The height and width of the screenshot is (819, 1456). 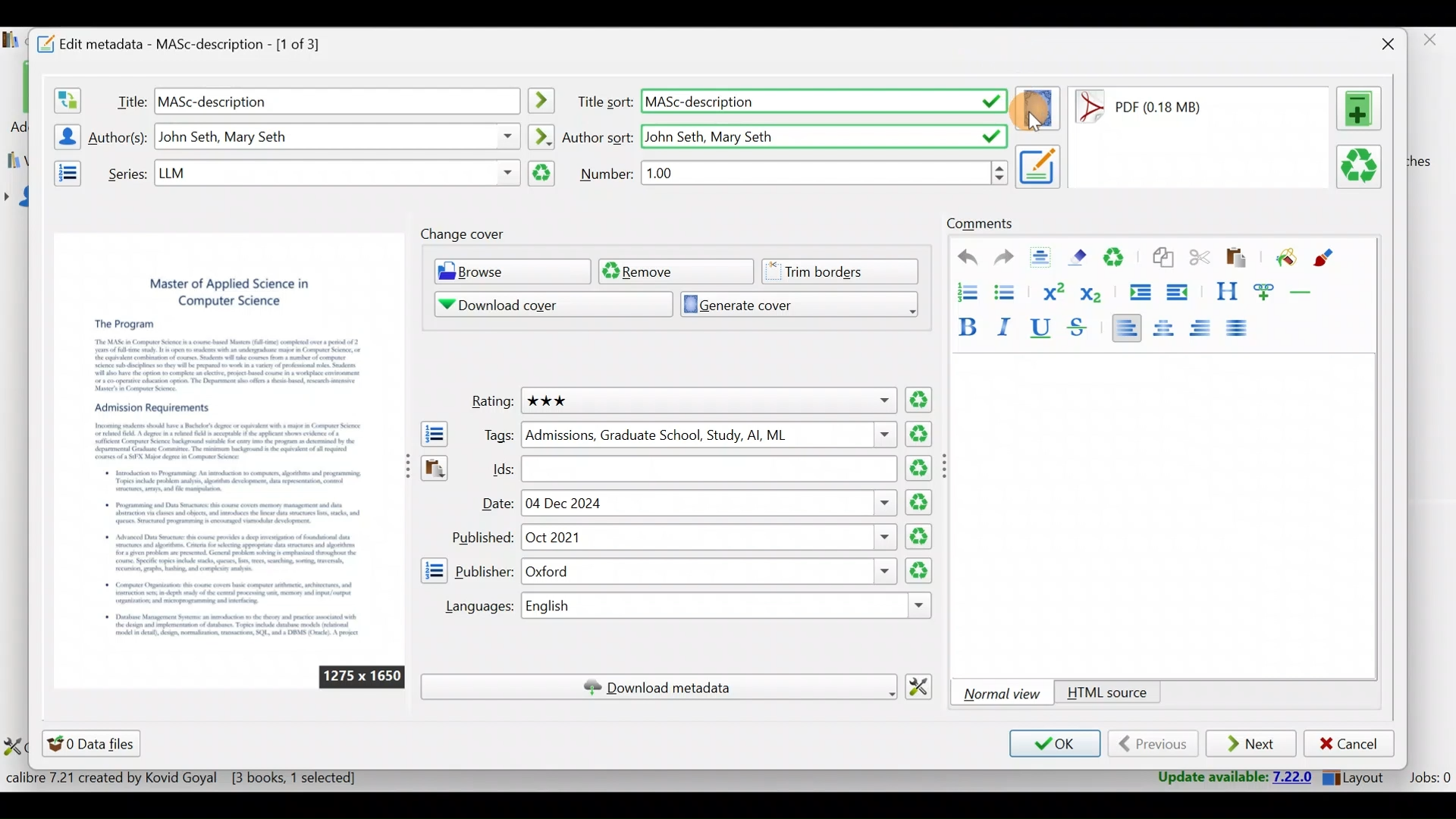 I want to click on Date, so click(x=495, y=505).